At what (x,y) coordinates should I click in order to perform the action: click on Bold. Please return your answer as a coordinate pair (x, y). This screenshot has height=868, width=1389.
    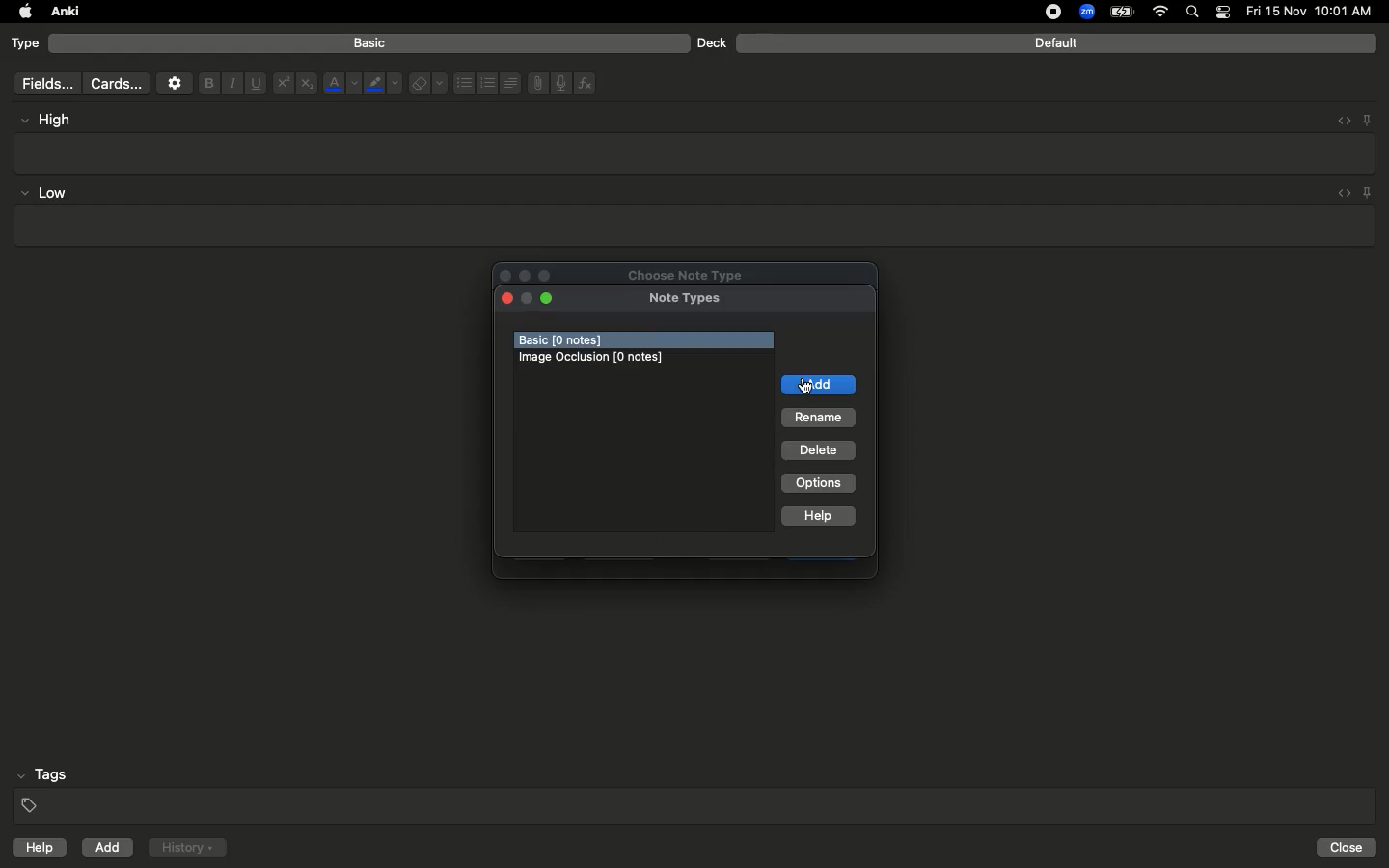
    Looking at the image, I should click on (207, 82).